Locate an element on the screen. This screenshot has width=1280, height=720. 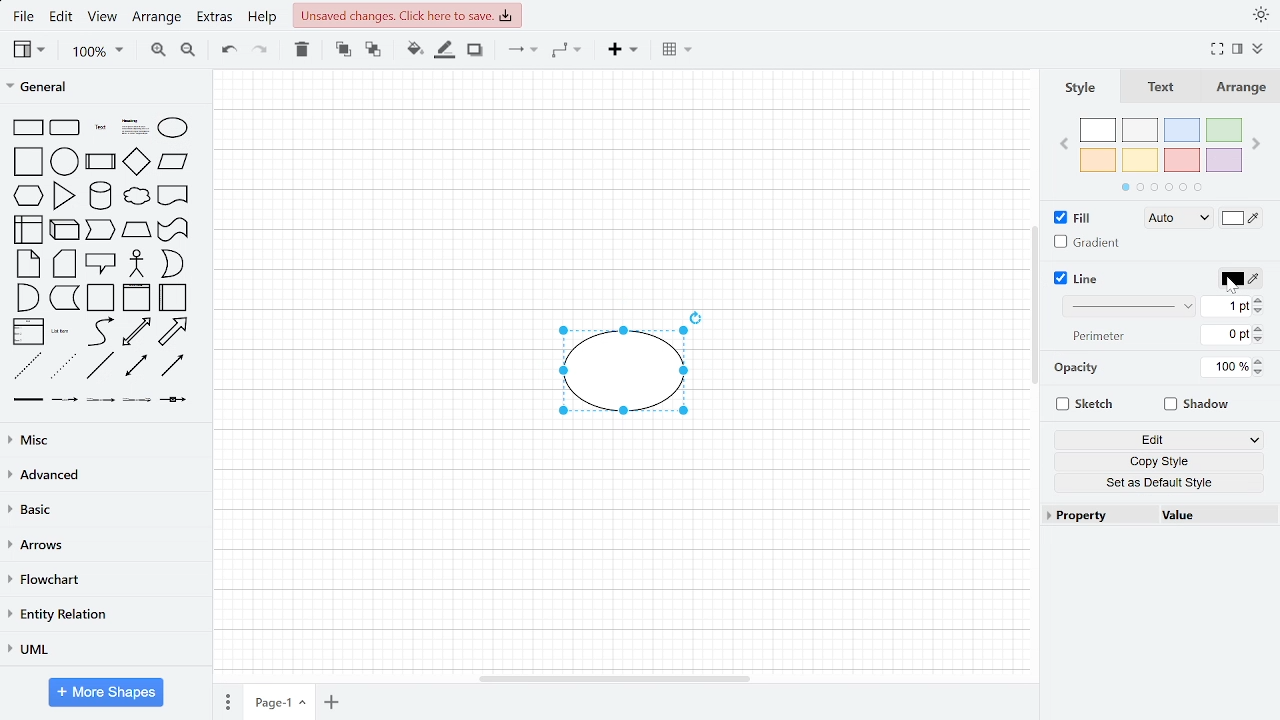
Fill style is located at coordinates (1179, 218).